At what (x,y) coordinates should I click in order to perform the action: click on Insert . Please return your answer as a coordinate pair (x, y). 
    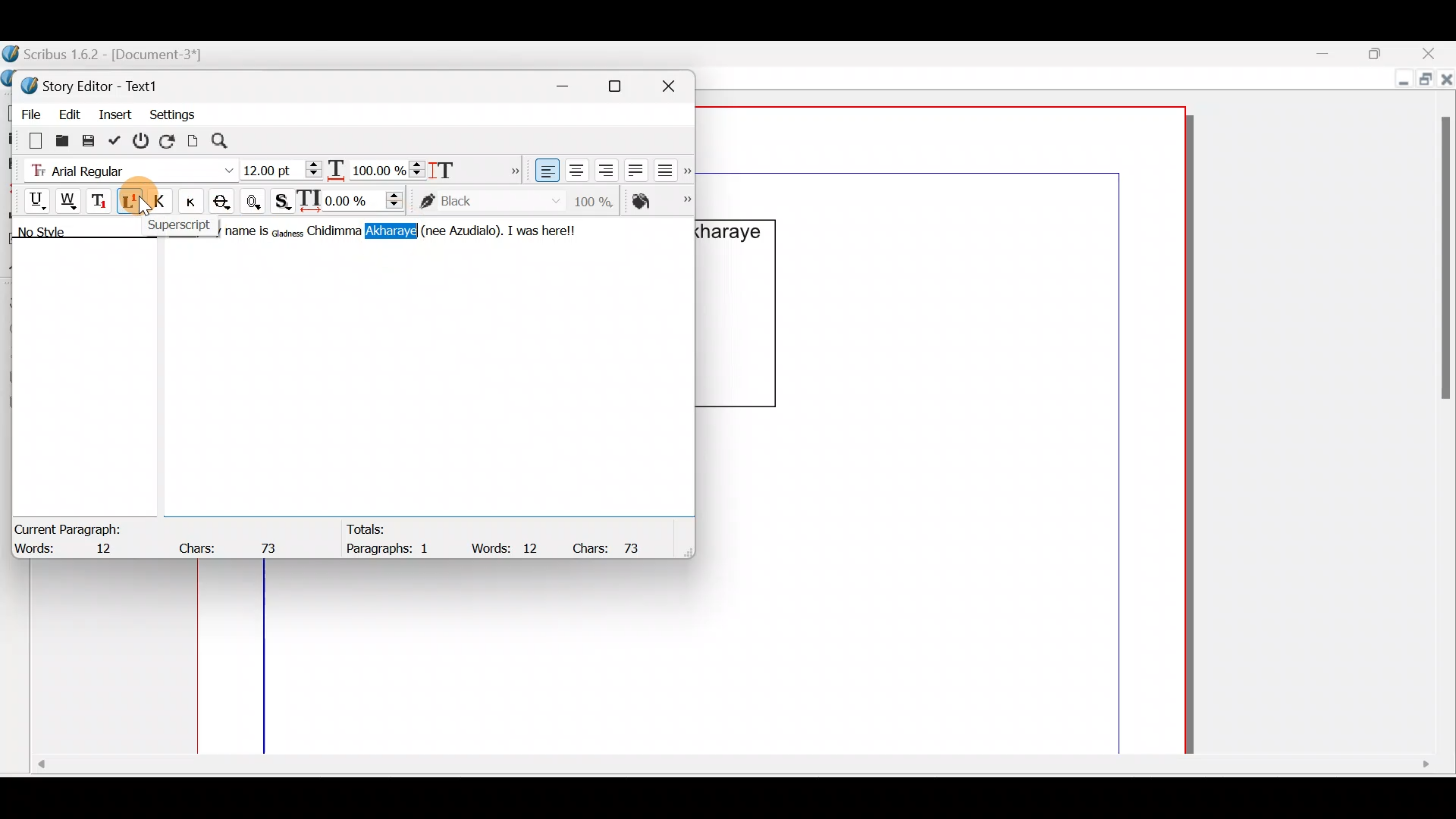
    Looking at the image, I should click on (116, 113).